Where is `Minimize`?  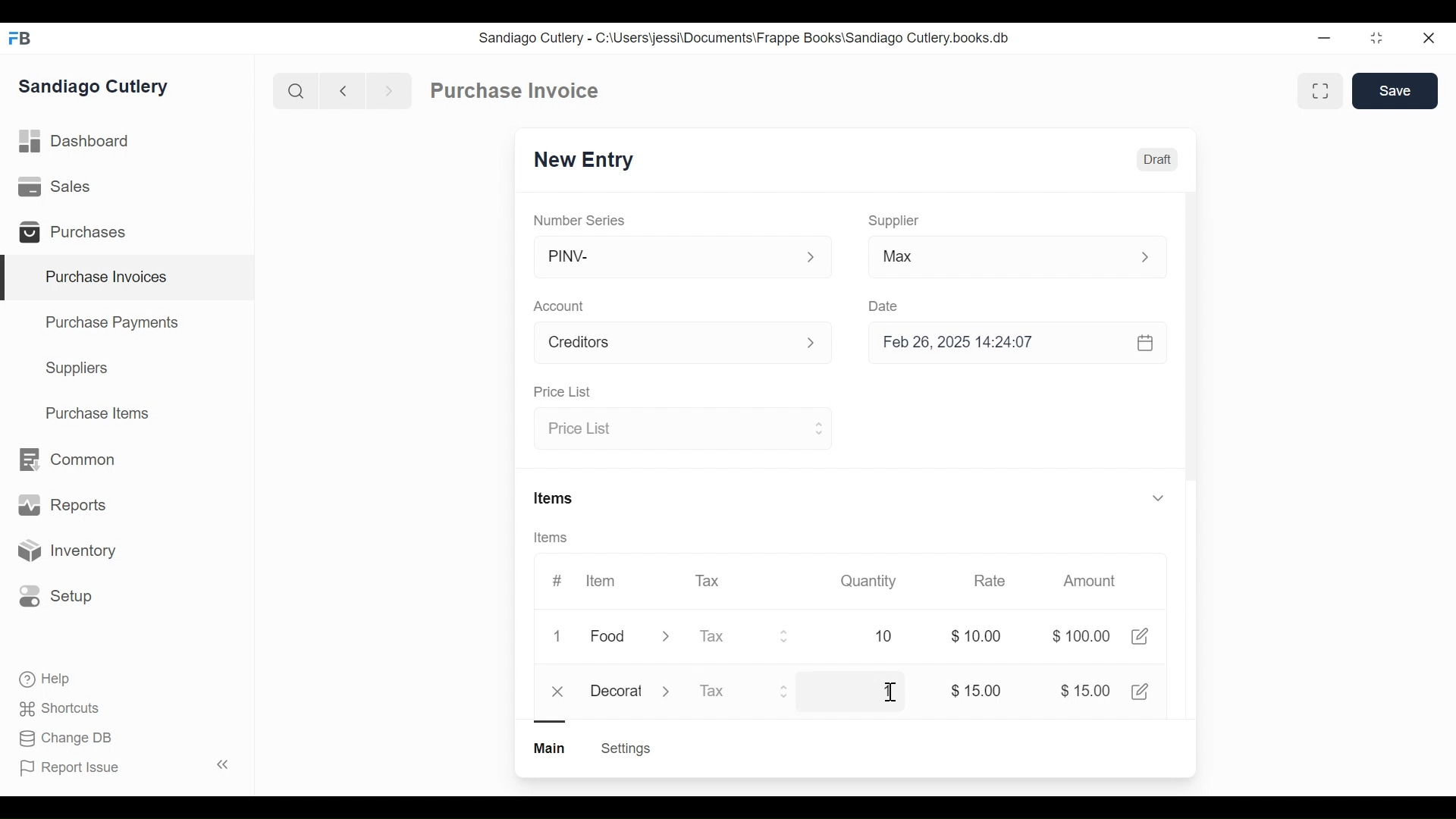 Minimize is located at coordinates (1321, 39).